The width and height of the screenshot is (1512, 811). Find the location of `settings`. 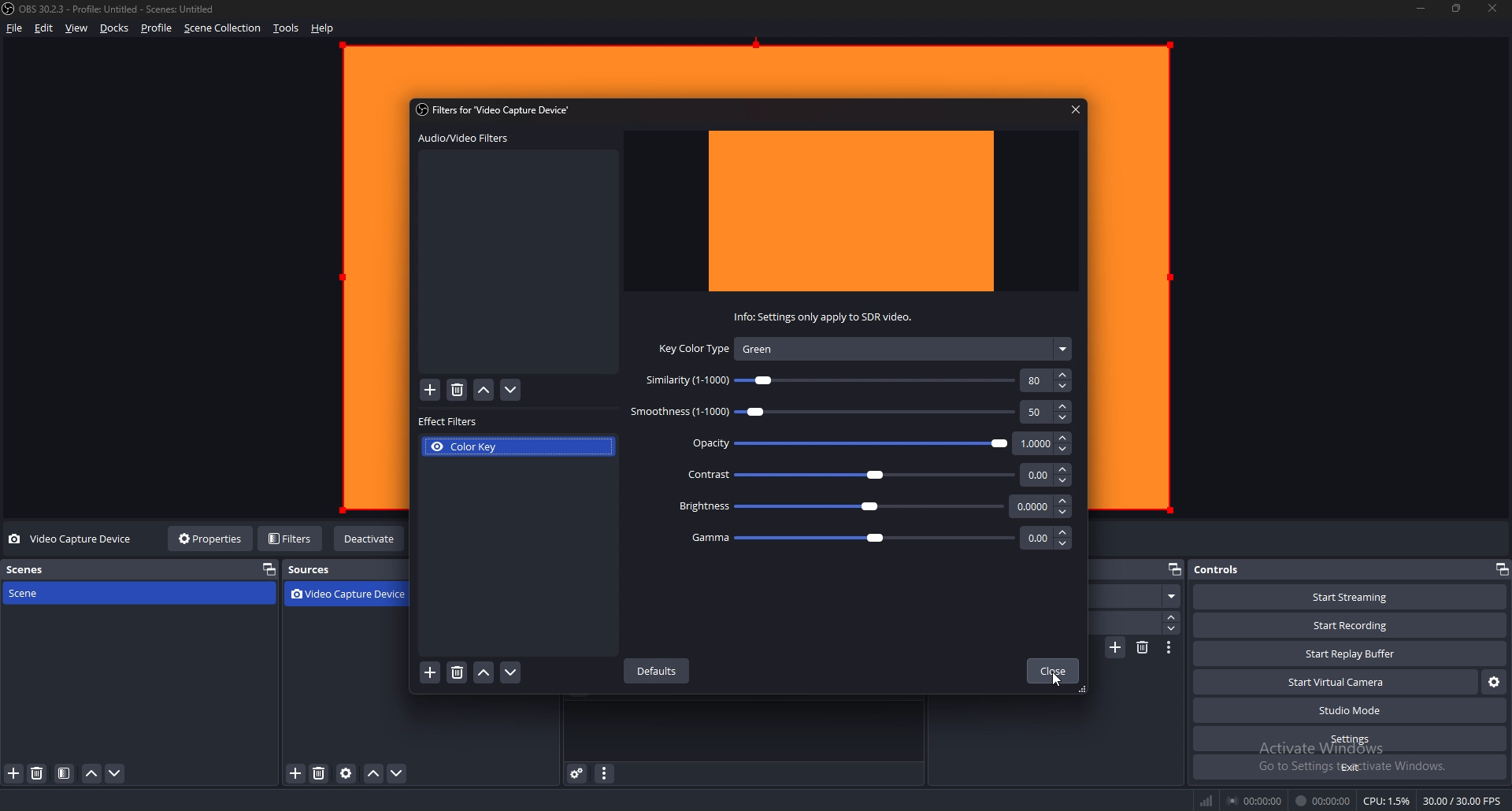

settings is located at coordinates (1350, 739).